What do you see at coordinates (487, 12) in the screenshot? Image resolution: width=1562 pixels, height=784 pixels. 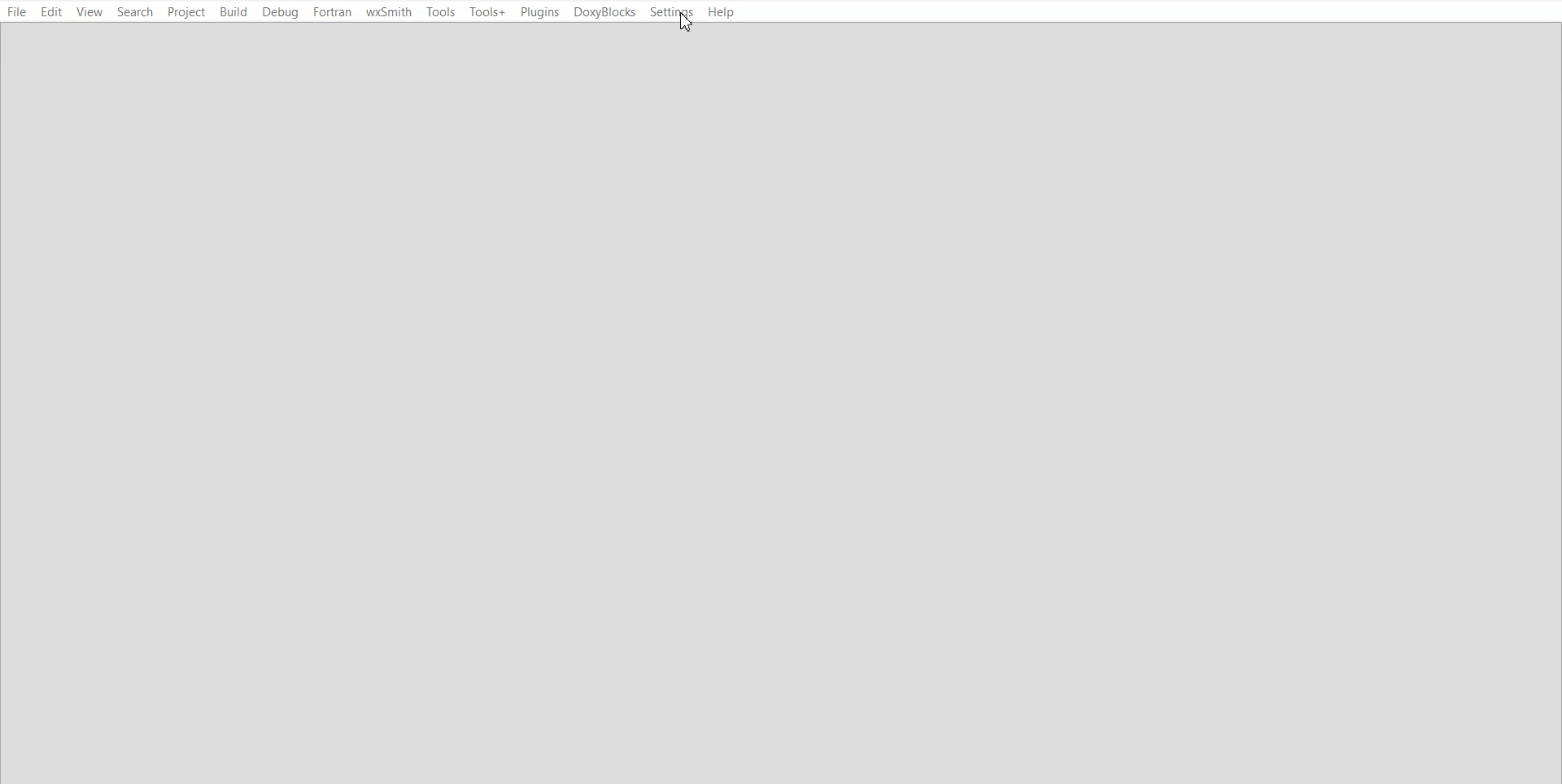 I see `Tools+` at bounding box center [487, 12].